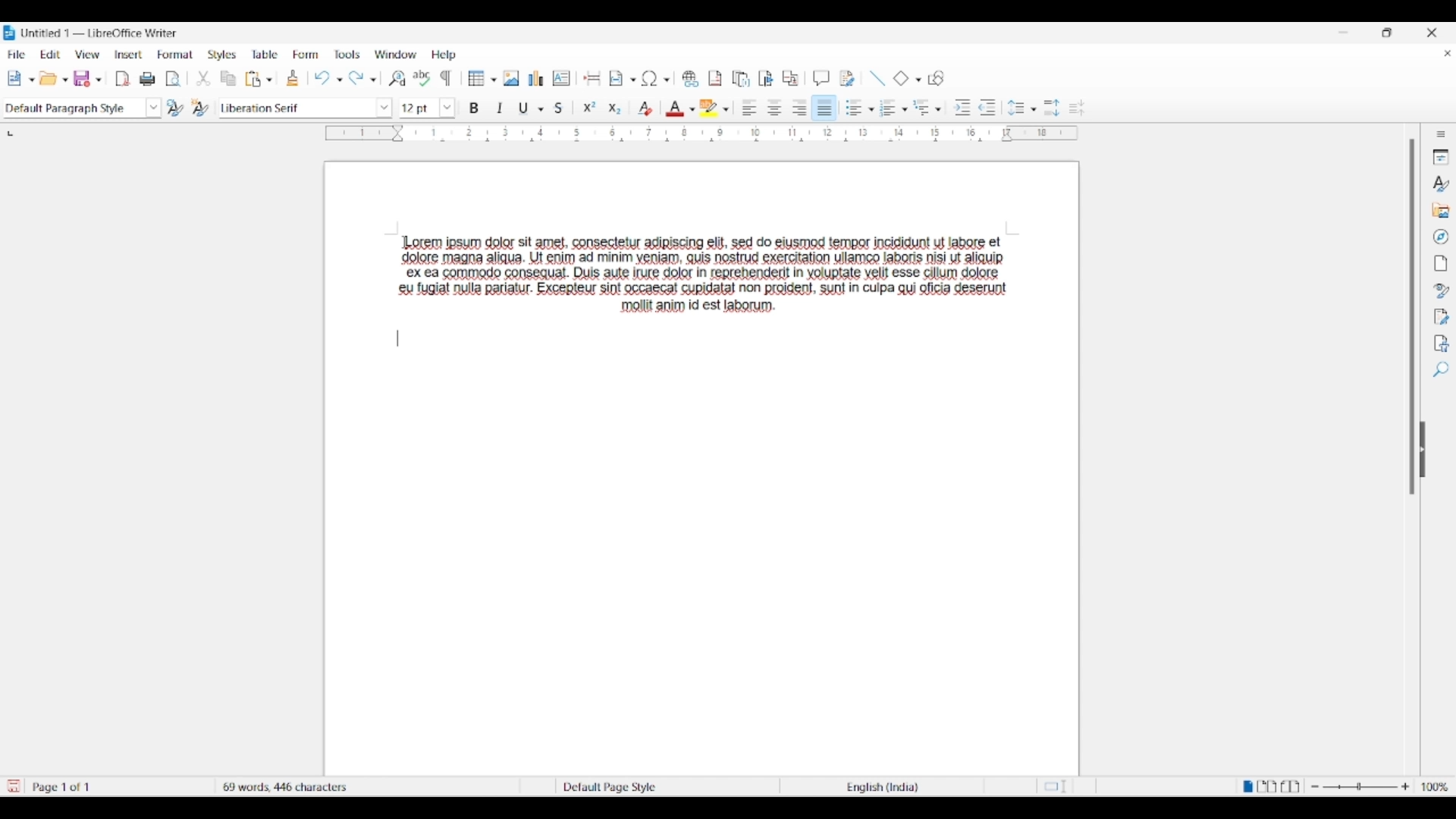  Describe the element at coordinates (936, 78) in the screenshot. I see `Show draw functions` at that location.